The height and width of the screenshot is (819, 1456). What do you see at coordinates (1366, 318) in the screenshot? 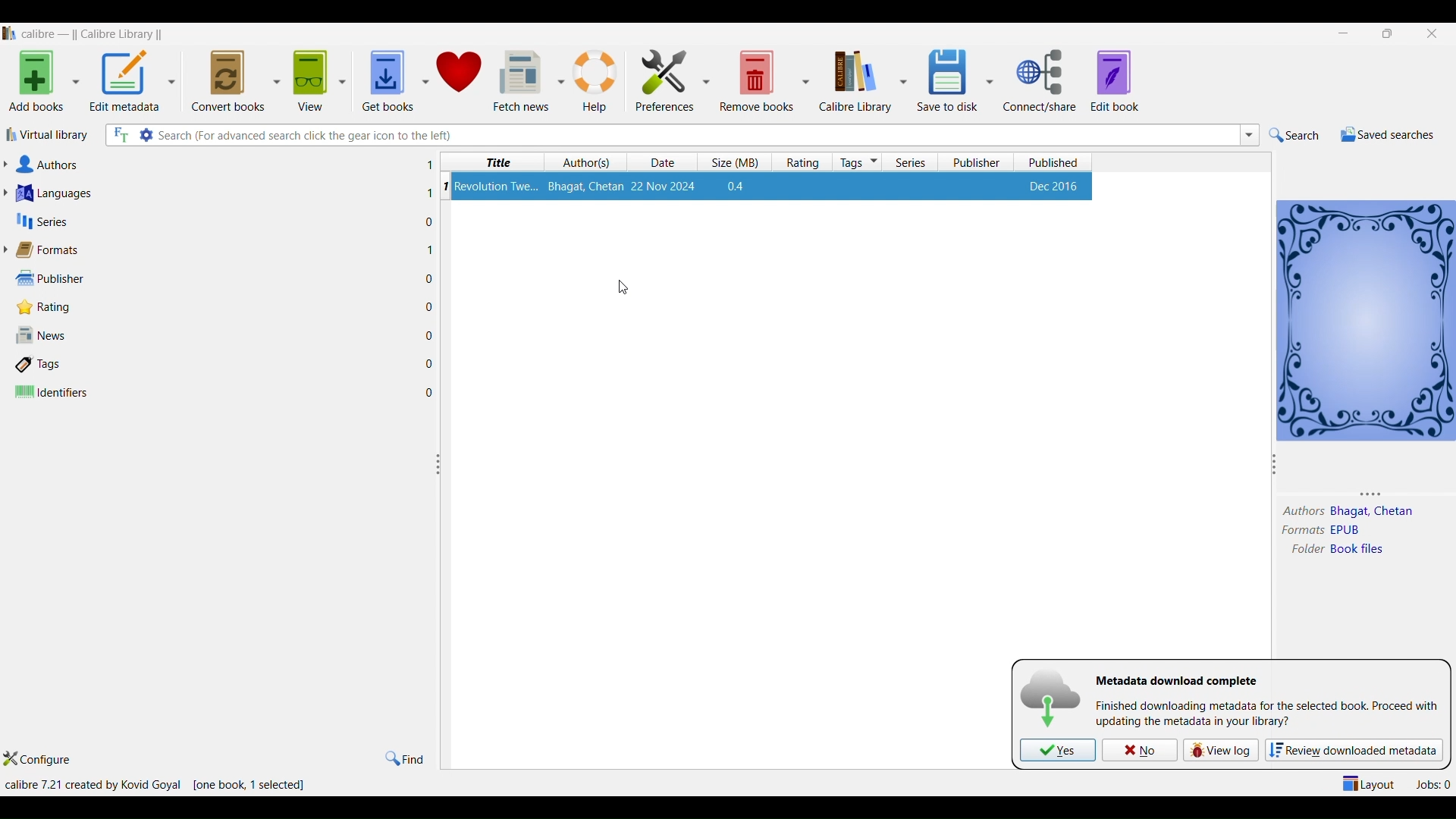
I see `book details window view icon` at bounding box center [1366, 318].